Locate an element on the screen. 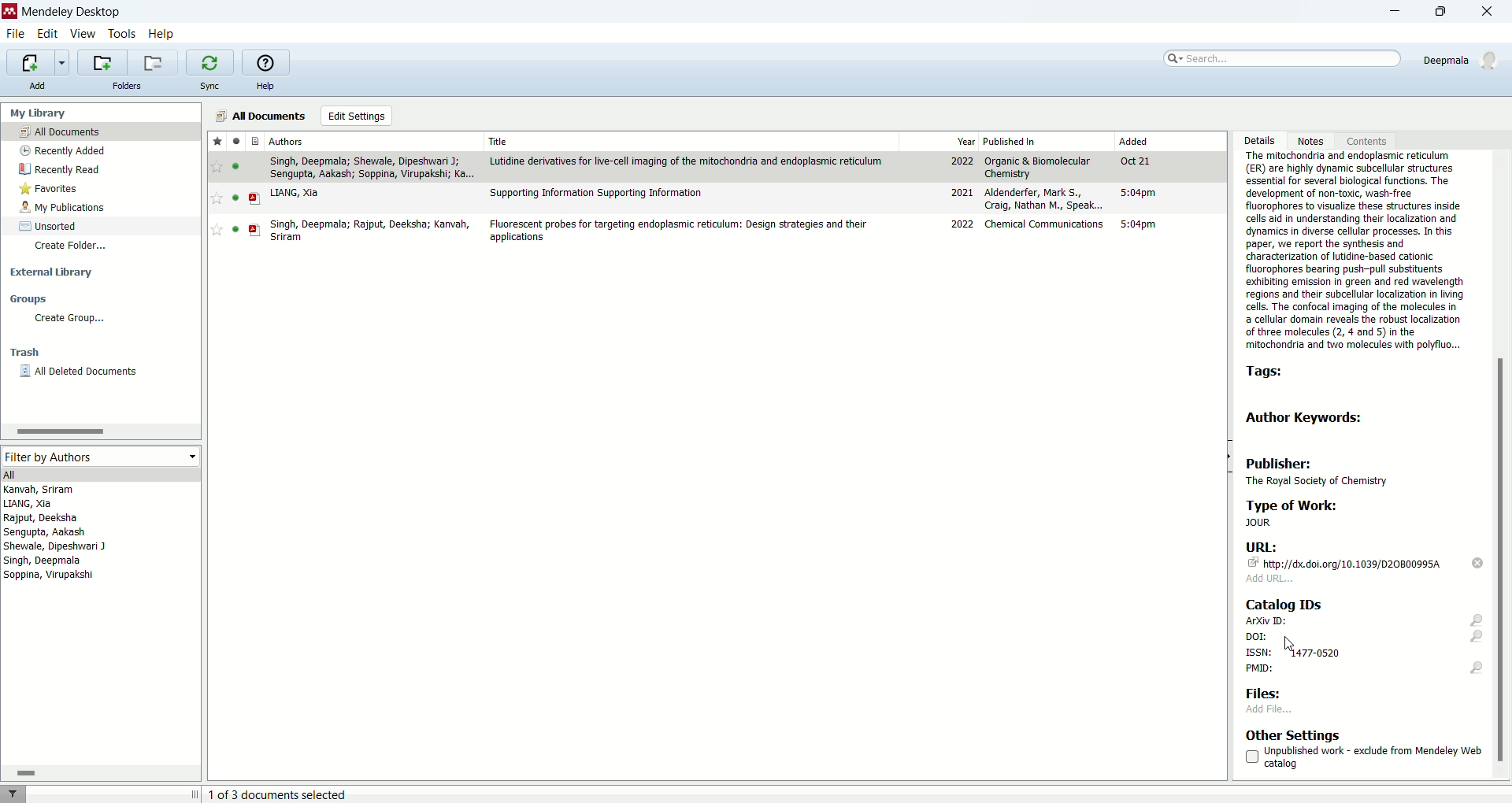  other settings is located at coordinates (1294, 735).